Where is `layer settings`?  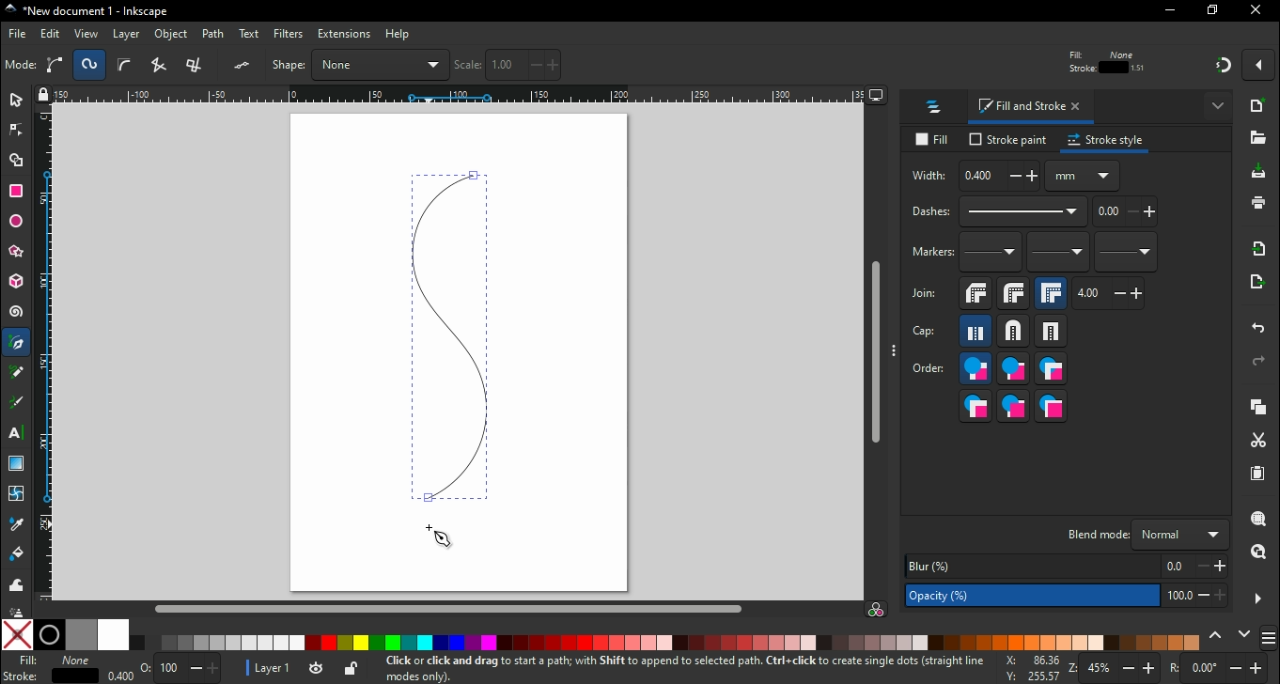
layer settings is located at coordinates (302, 669).